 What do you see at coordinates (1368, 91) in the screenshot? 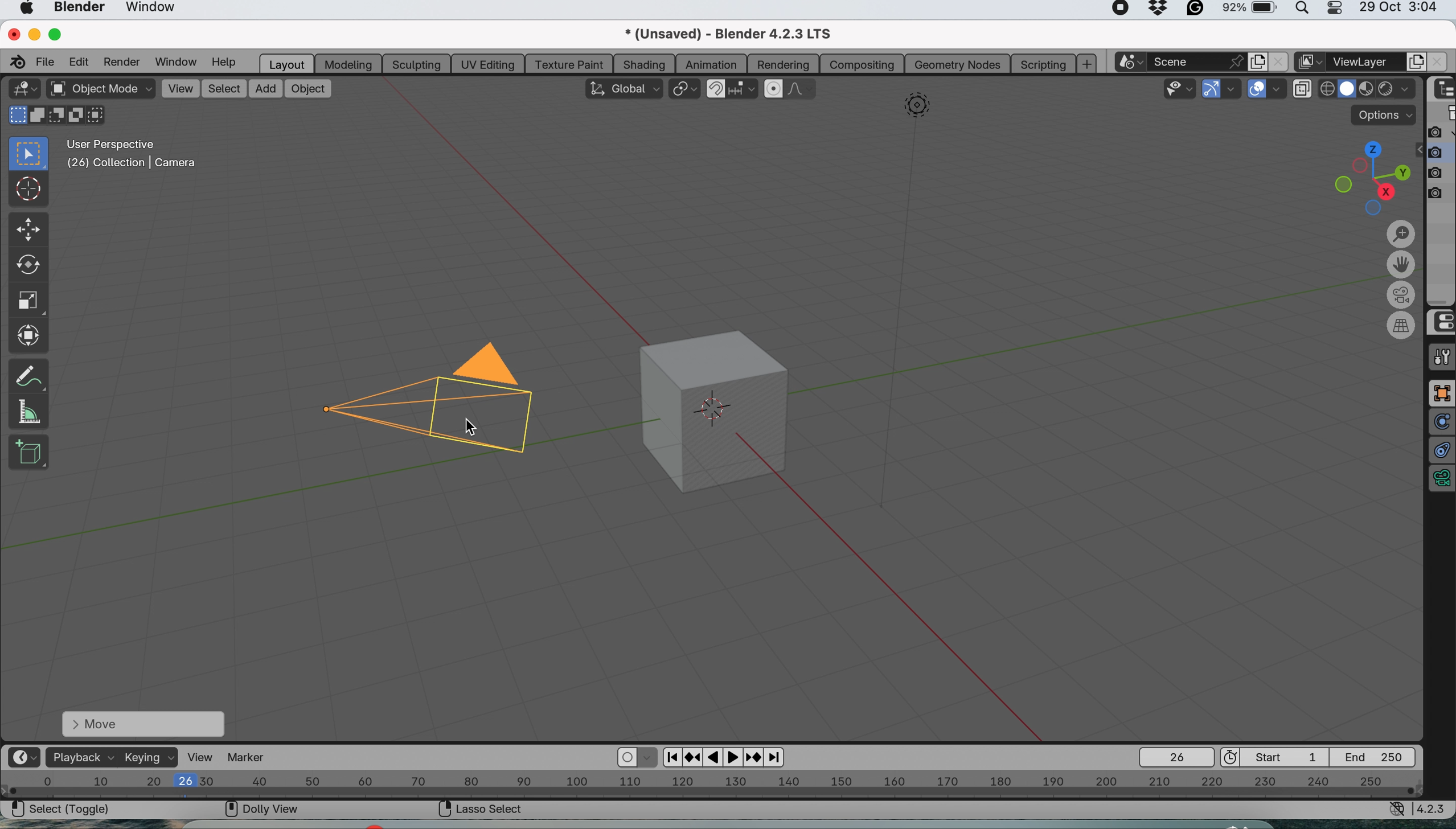
I see `rendered display` at bounding box center [1368, 91].